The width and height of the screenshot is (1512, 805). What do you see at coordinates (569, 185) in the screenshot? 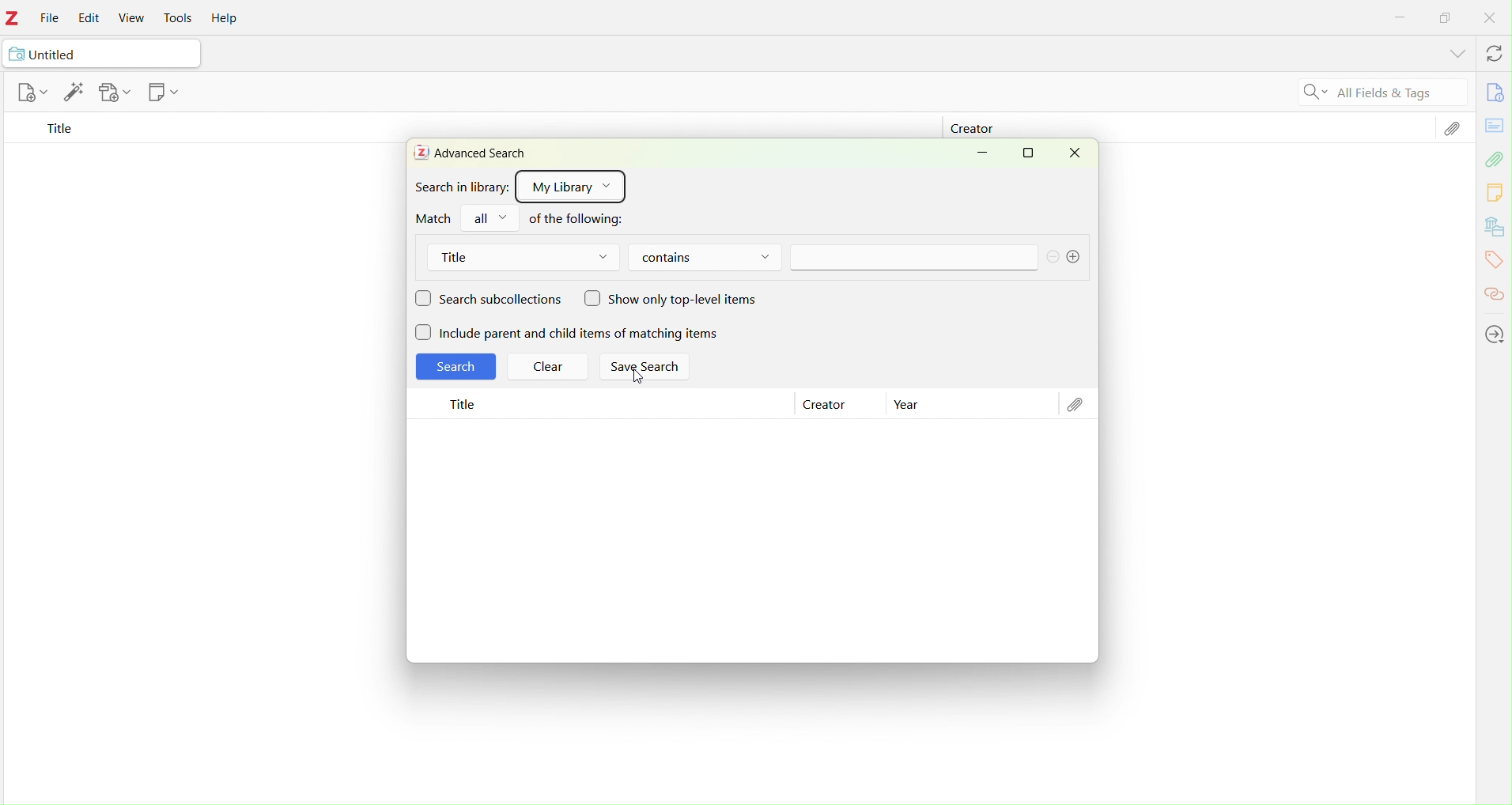
I see `My library` at bounding box center [569, 185].